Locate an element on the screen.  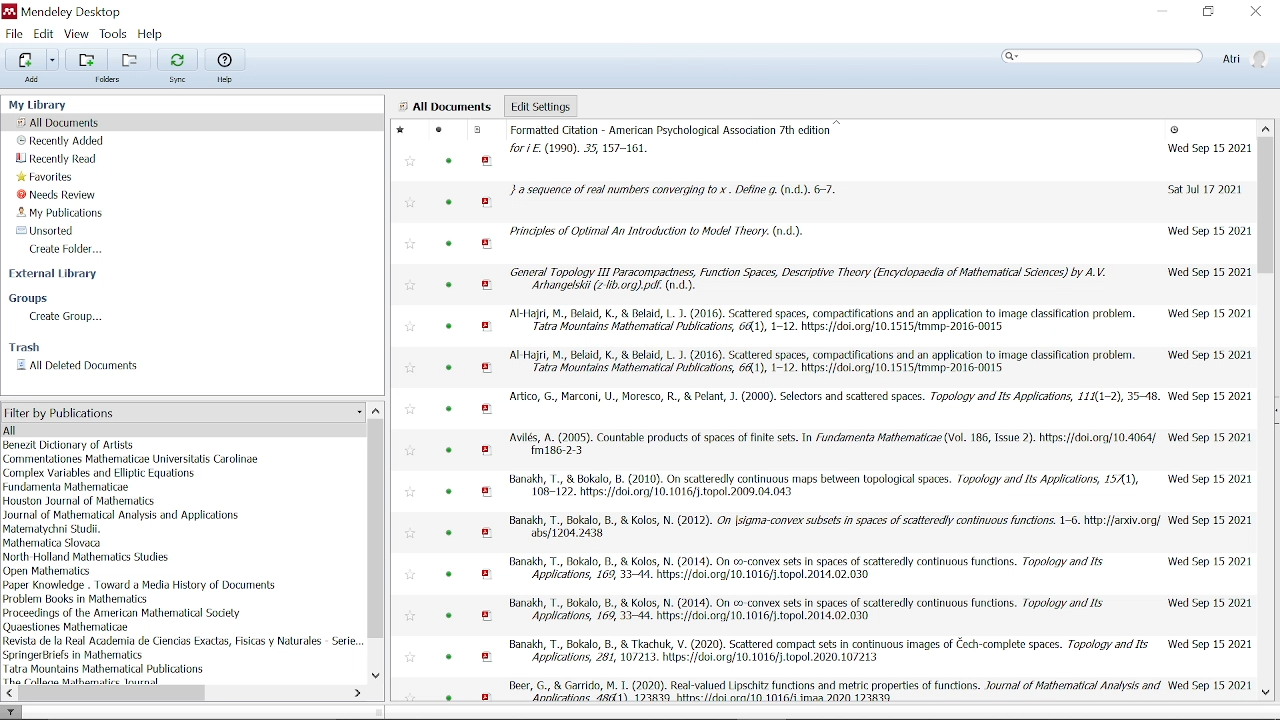
All deleted documents is located at coordinates (78, 366).